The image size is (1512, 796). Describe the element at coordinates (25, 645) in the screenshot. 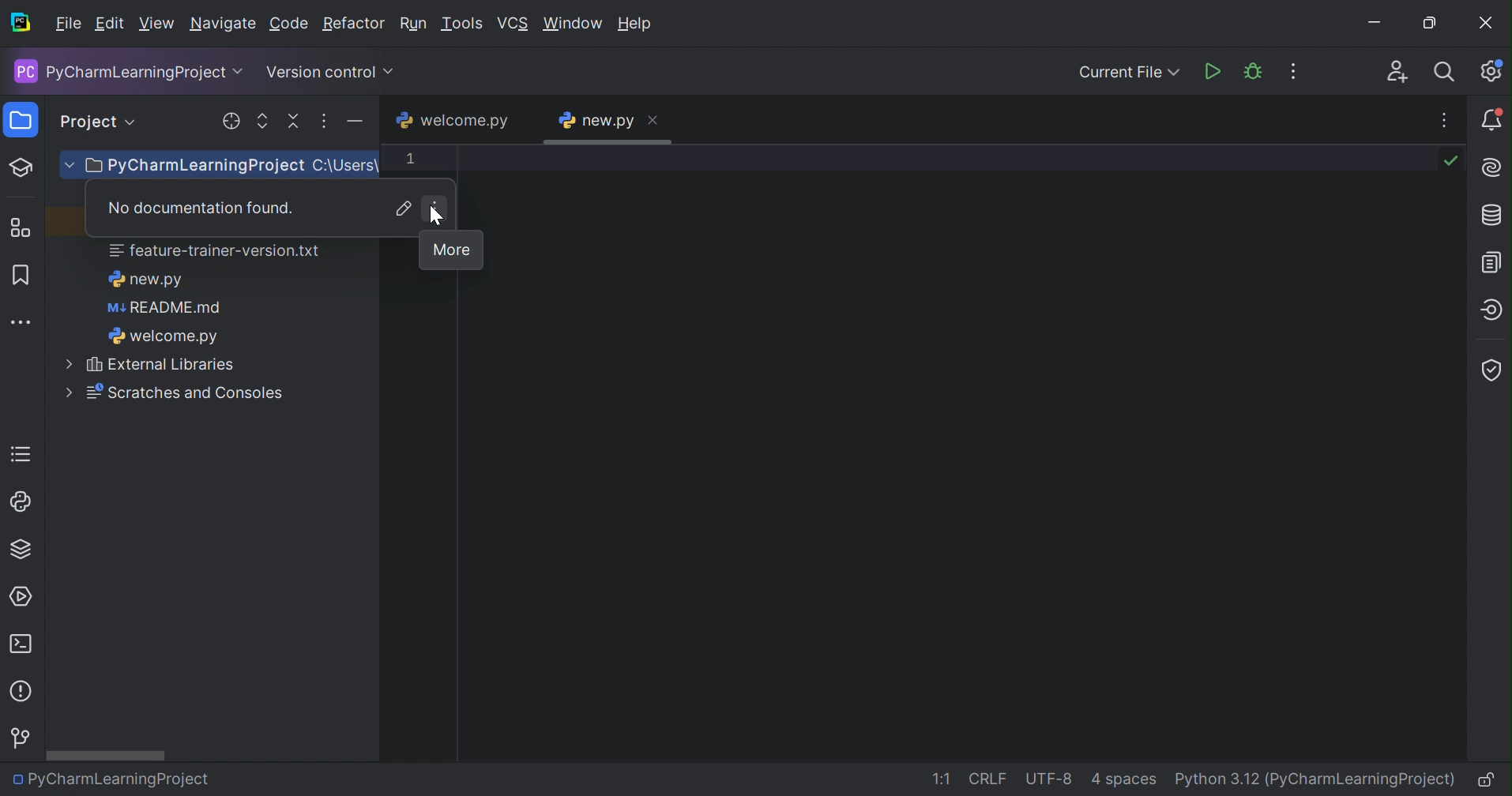

I see `Terminal` at that location.